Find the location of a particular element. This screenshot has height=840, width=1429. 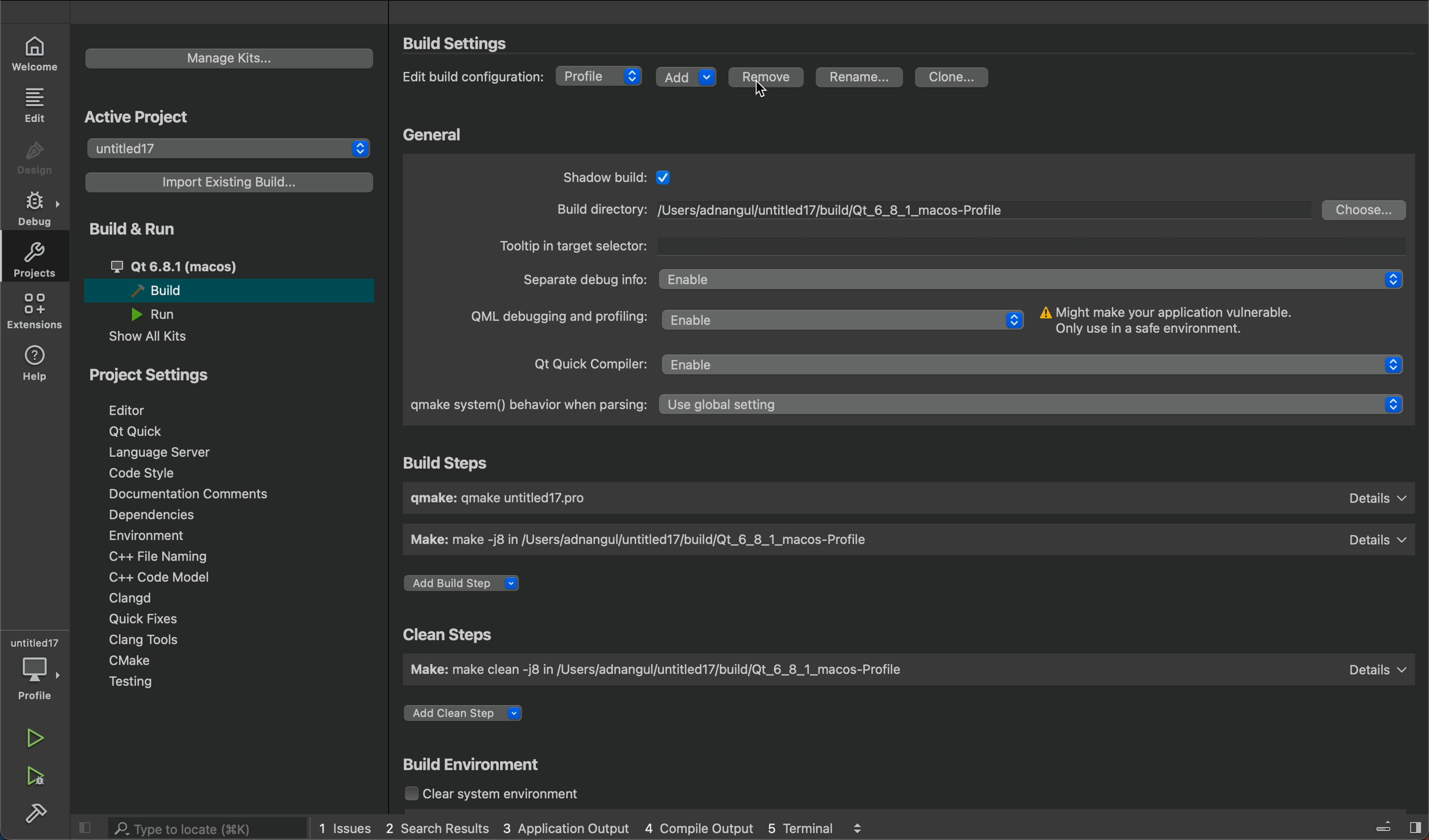

active projects is located at coordinates (141, 117).